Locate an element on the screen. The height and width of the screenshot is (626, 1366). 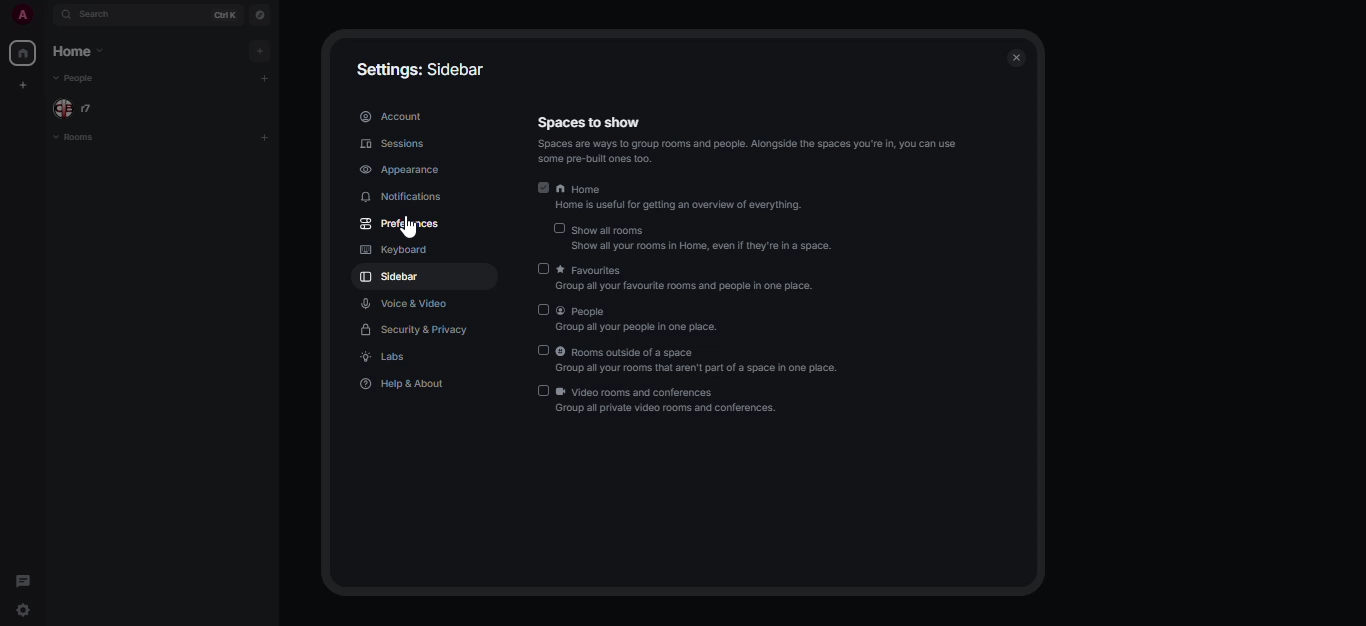
people is located at coordinates (81, 79).